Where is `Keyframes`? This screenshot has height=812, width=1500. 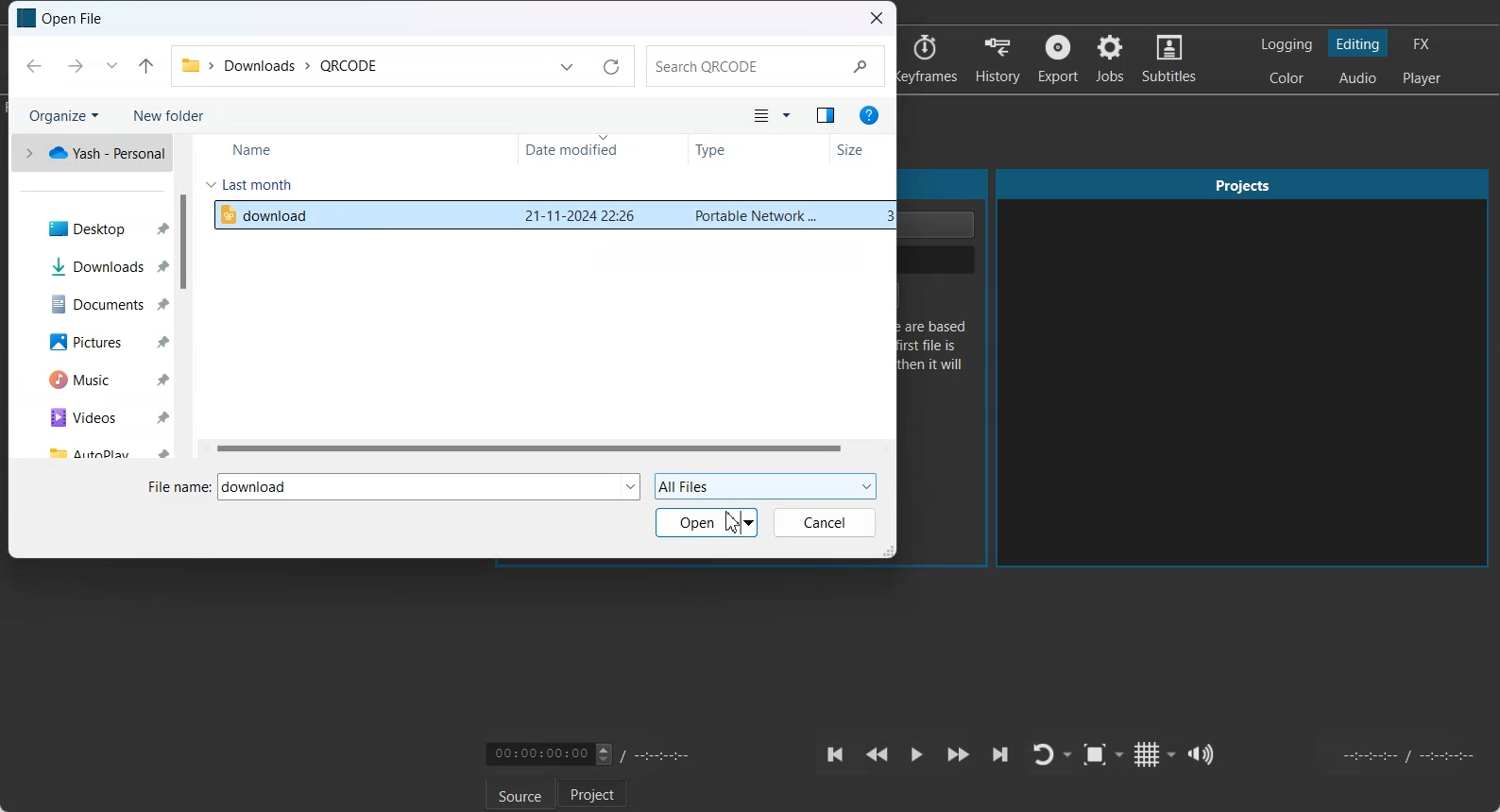 Keyframes is located at coordinates (929, 58).